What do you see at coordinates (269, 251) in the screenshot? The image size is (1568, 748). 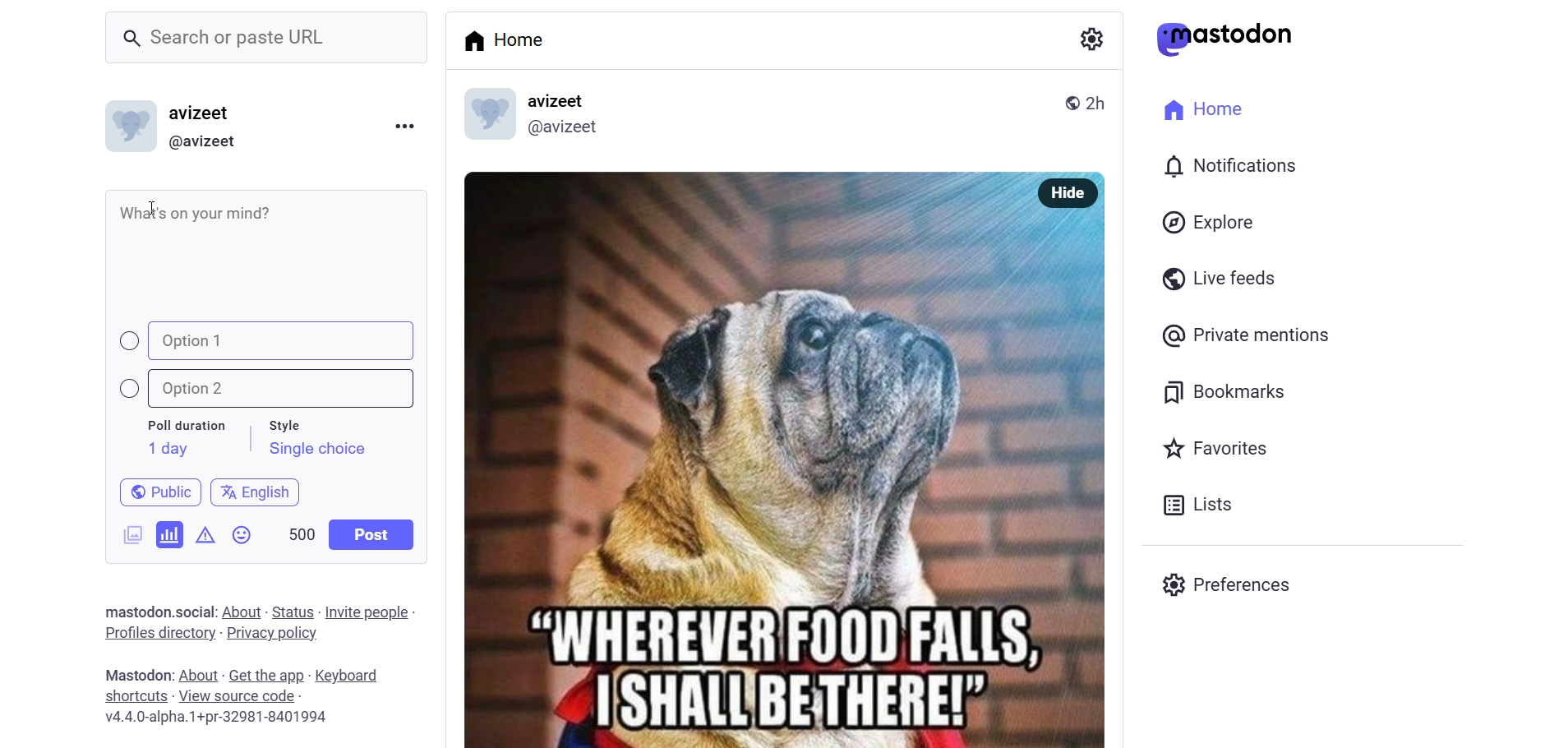 I see `What's on your mind?` at bounding box center [269, 251].